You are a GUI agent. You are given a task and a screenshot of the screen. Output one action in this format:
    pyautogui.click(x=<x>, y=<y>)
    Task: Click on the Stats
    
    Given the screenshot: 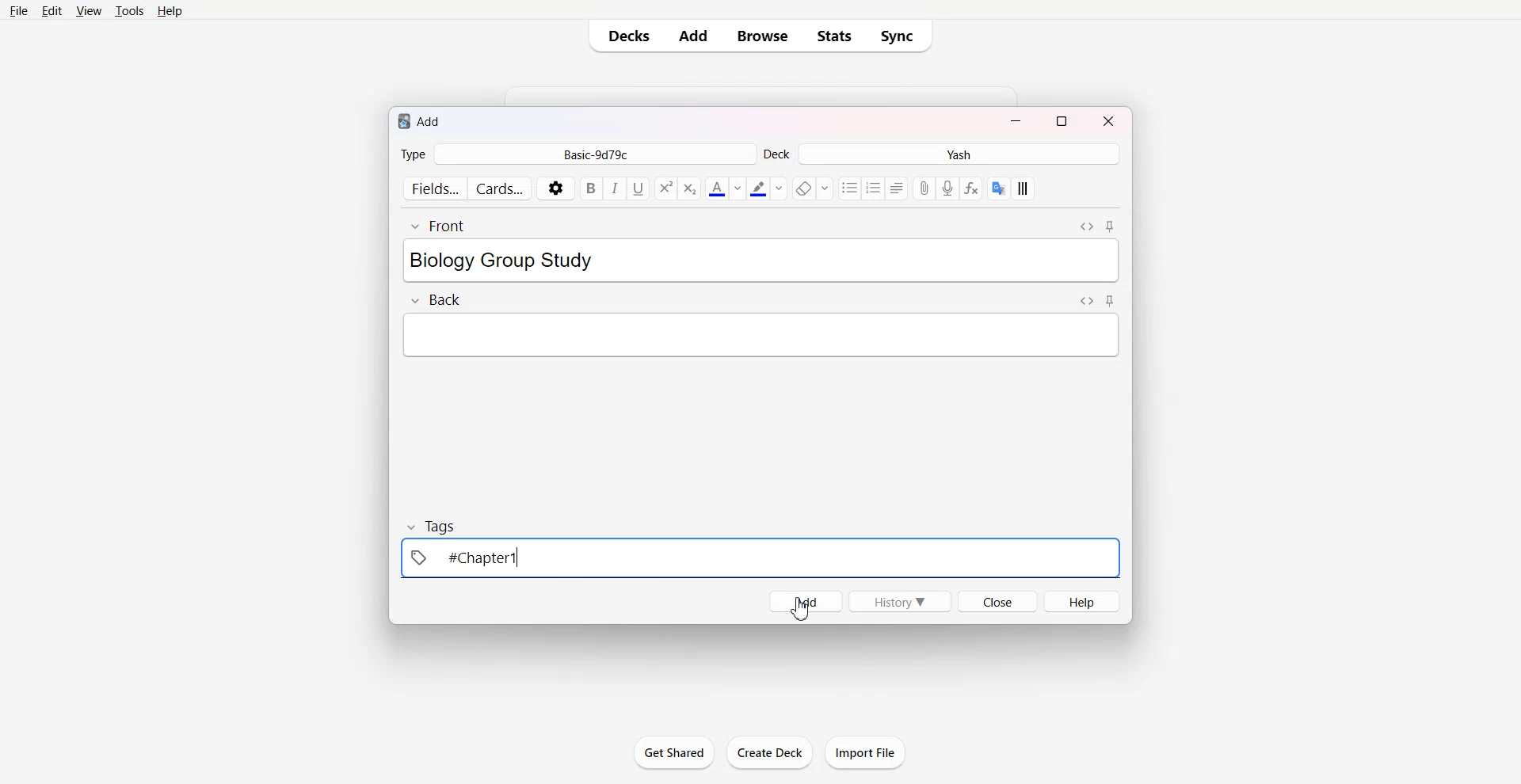 What is the action you would take?
    pyautogui.click(x=835, y=36)
    